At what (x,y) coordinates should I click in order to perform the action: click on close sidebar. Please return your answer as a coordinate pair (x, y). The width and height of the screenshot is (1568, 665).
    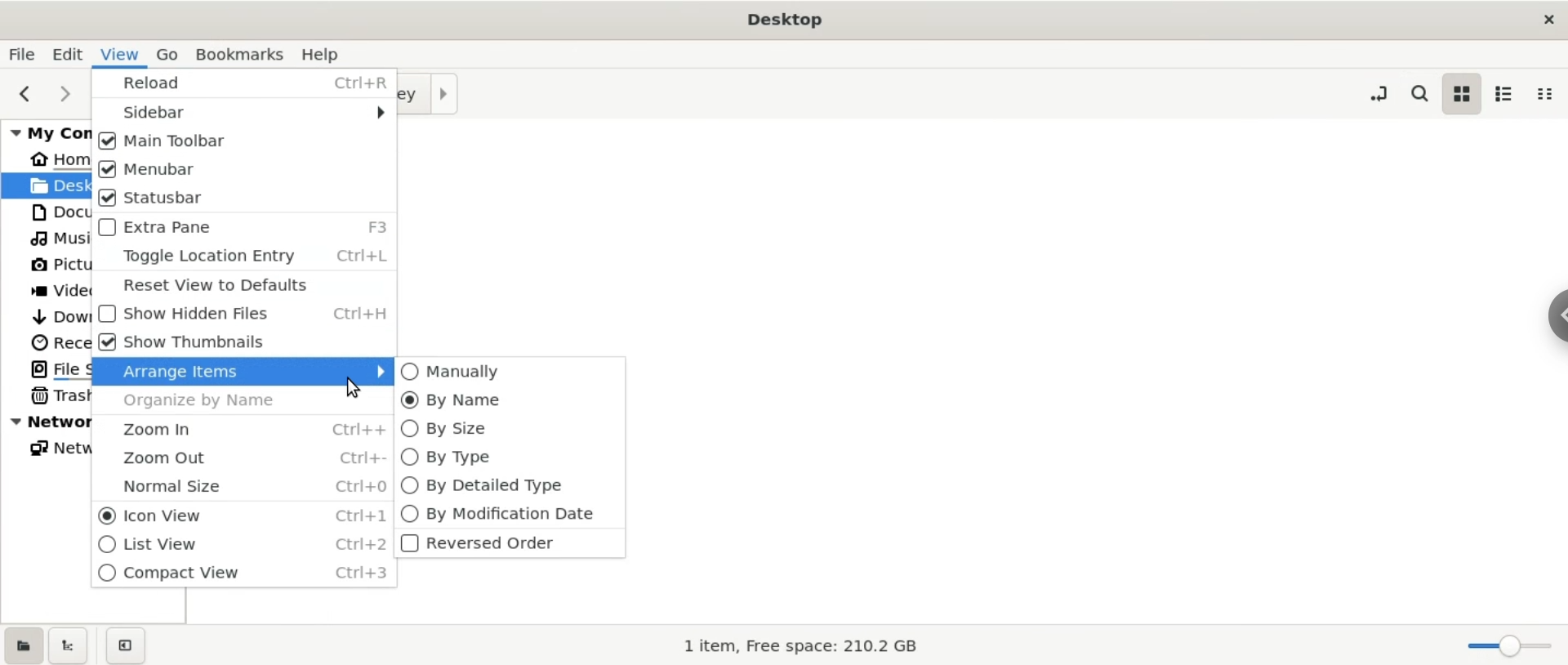
    Looking at the image, I should click on (132, 643).